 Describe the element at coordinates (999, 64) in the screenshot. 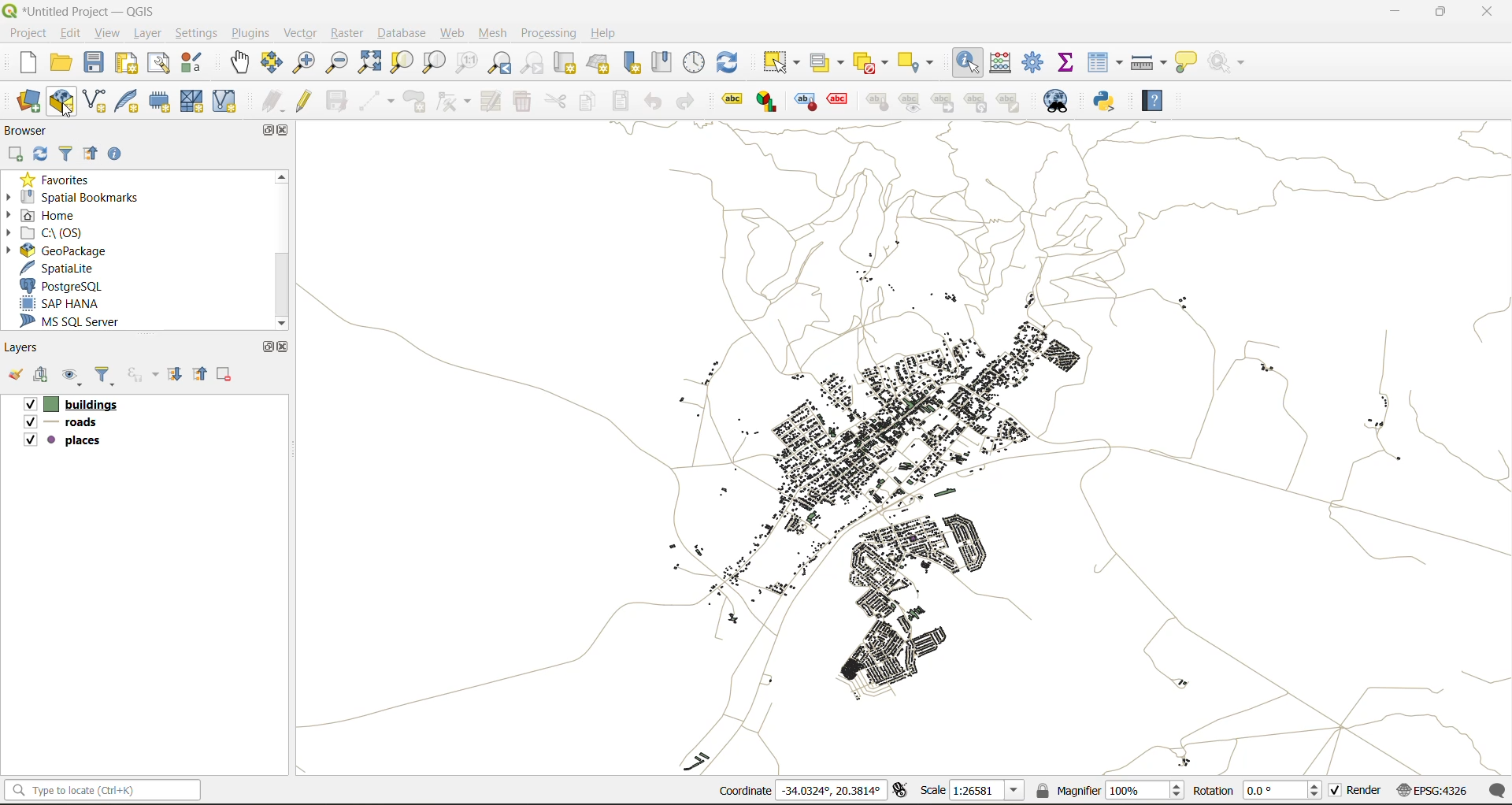

I see `calculator` at that location.